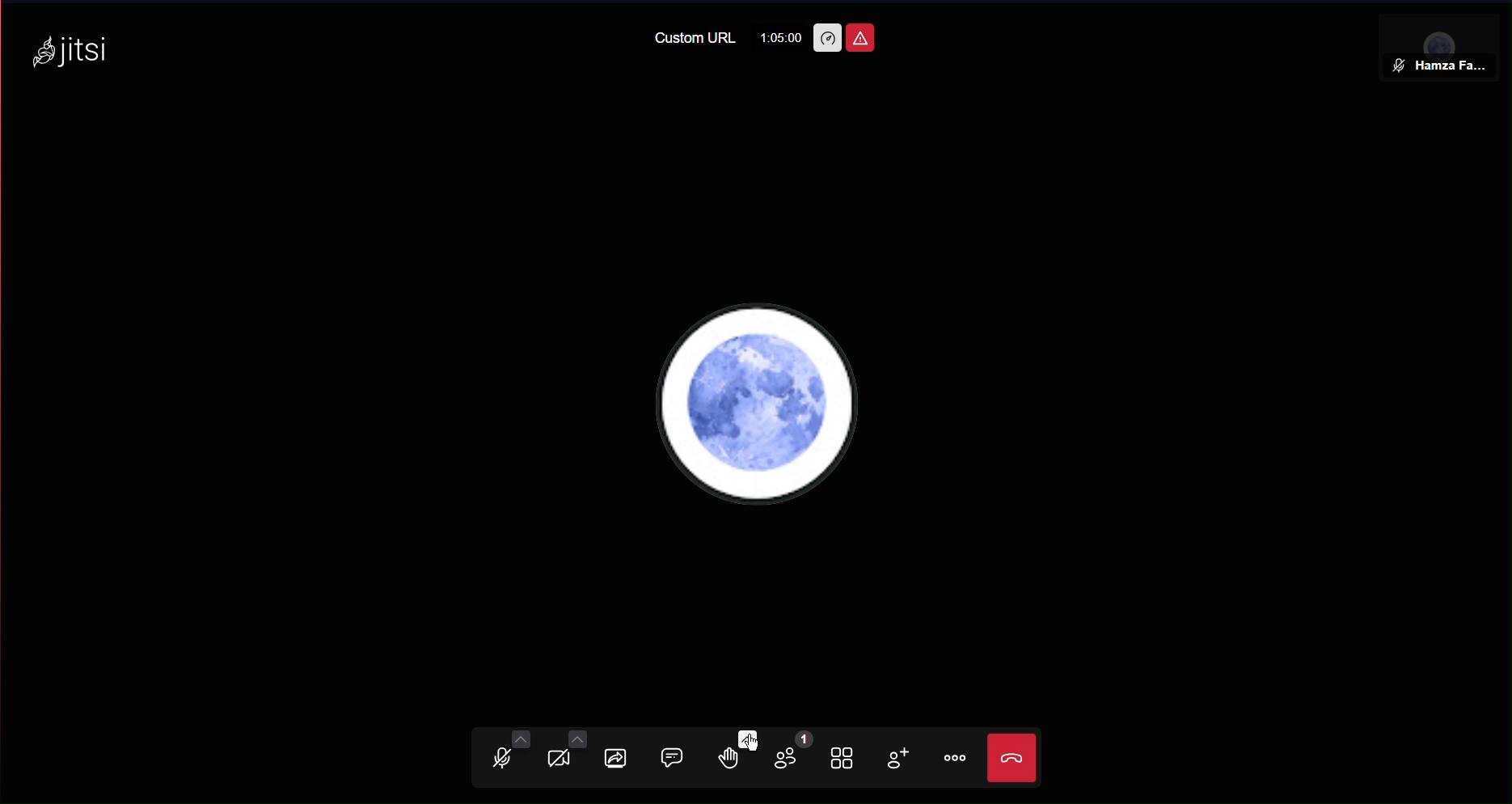 The height and width of the screenshot is (804, 1512). Describe the element at coordinates (826, 38) in the screenshot. I see `Performance Settings` at that location.